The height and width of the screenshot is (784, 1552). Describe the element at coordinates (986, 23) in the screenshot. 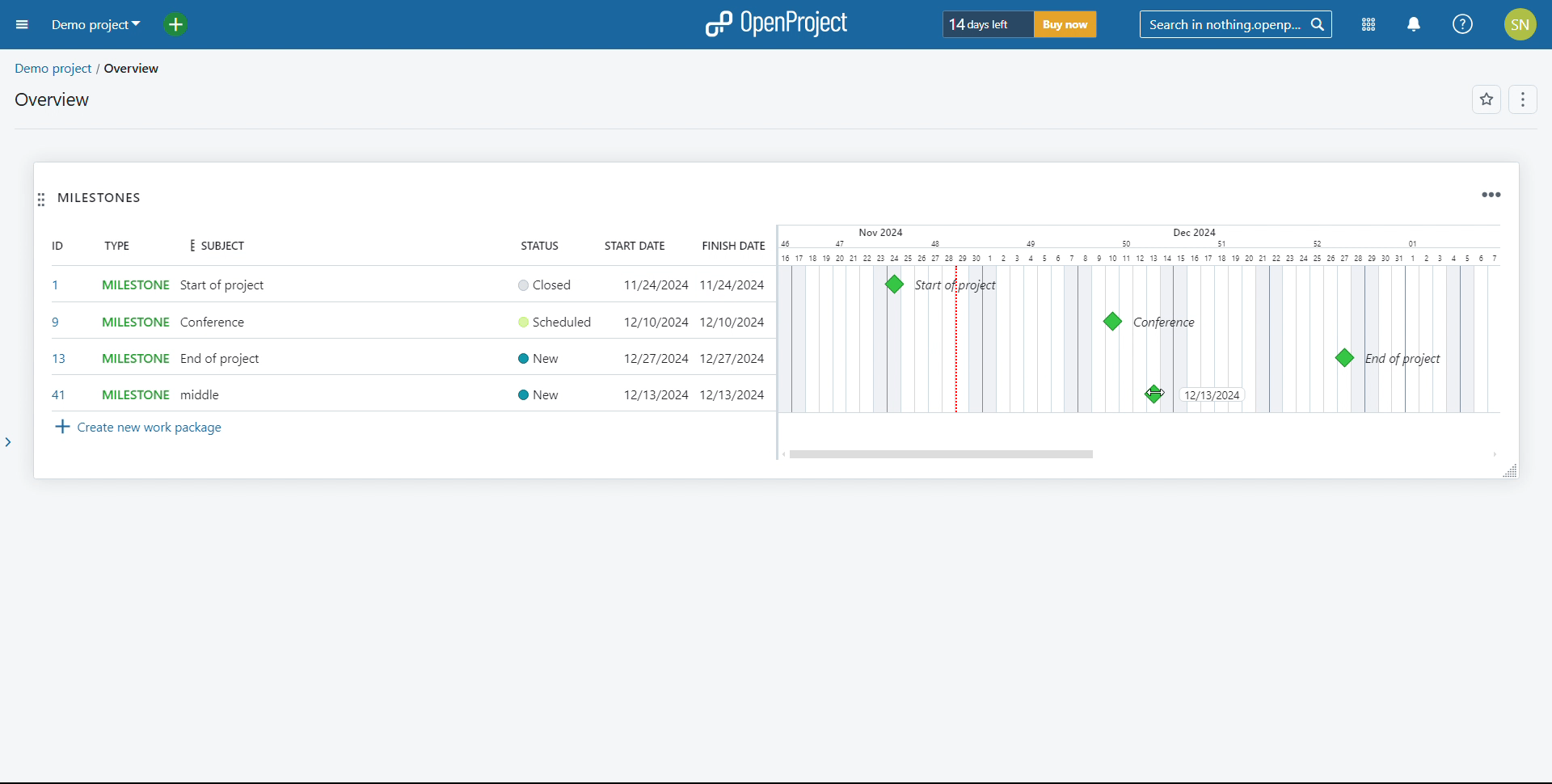

I see `days left of trial` at that location.